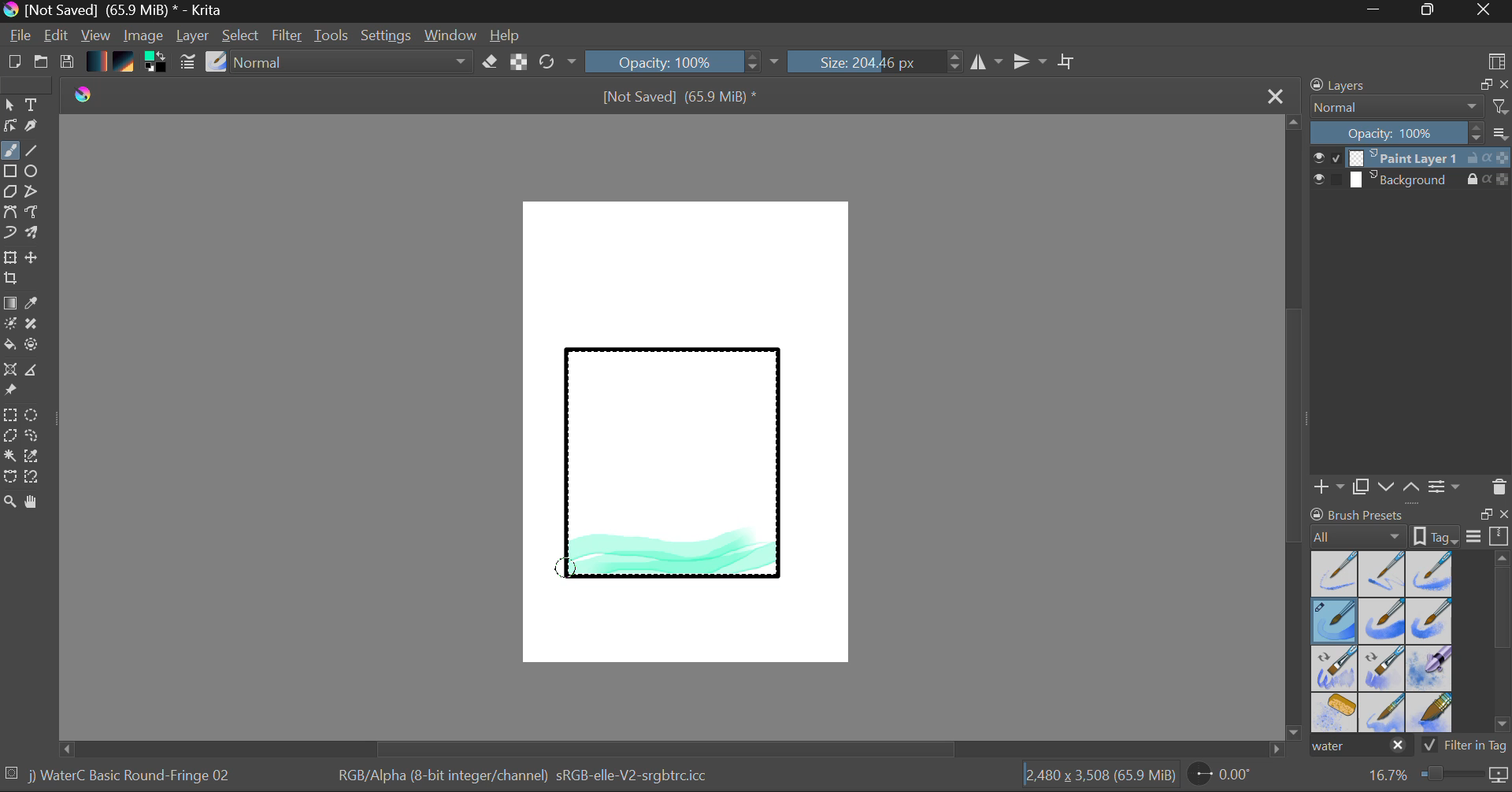 This screenshot has height=792, width=1512. I want to click on Calligraphic Tool, so click(37, 129).